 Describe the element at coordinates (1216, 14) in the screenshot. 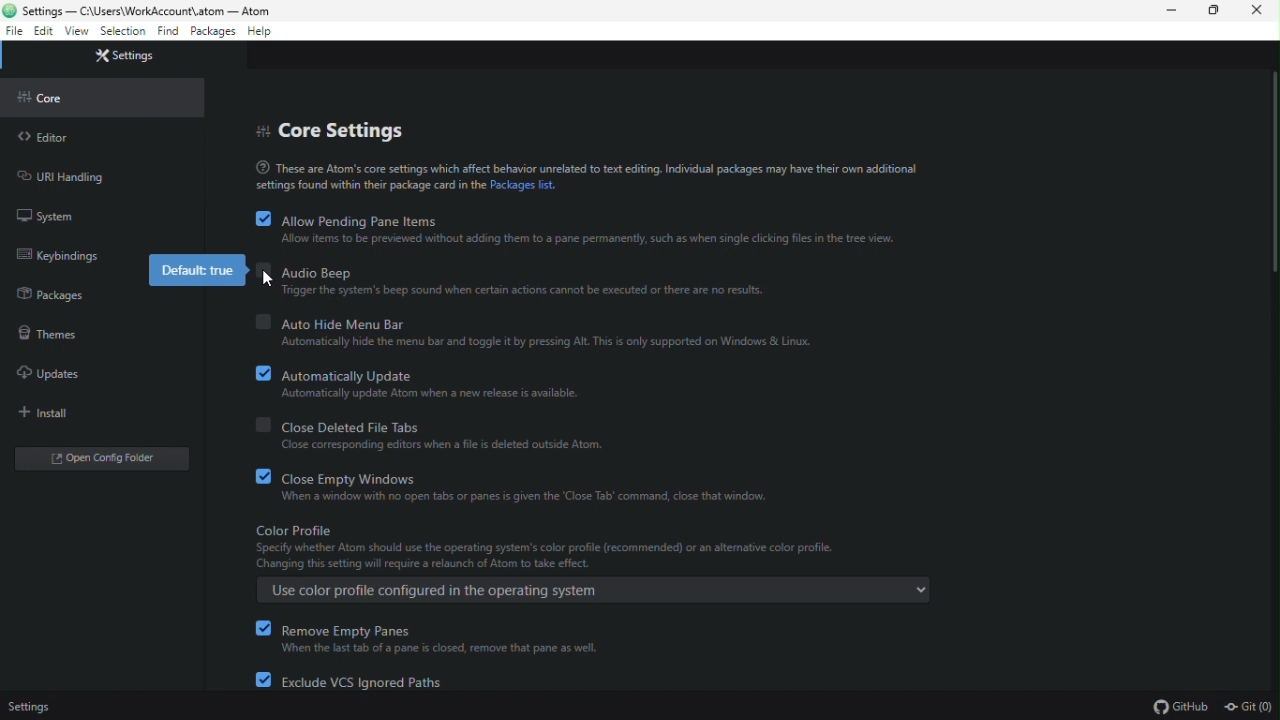

I see `restore` at that location.